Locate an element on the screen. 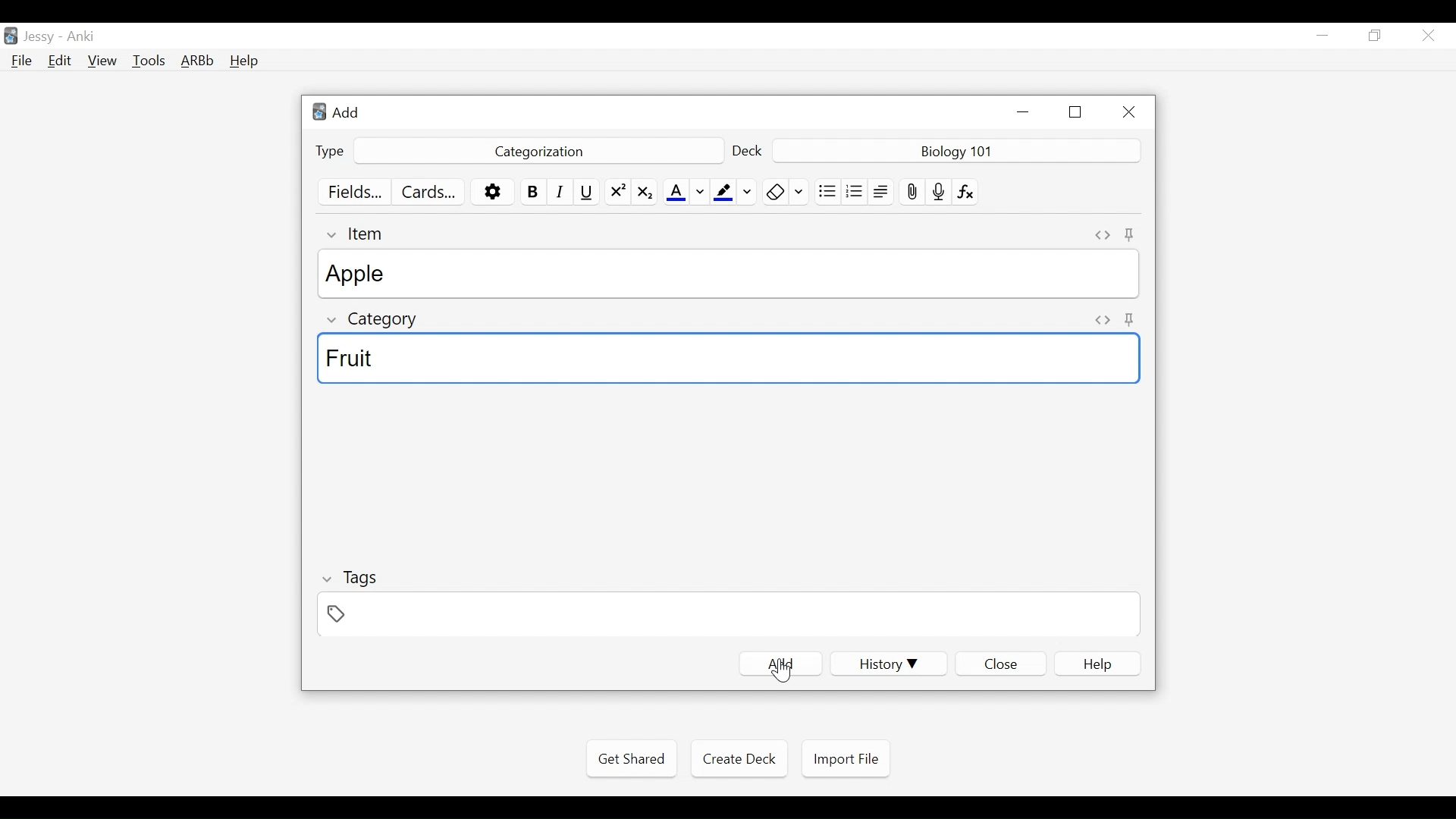  Options is located at coordinates (492, 193).